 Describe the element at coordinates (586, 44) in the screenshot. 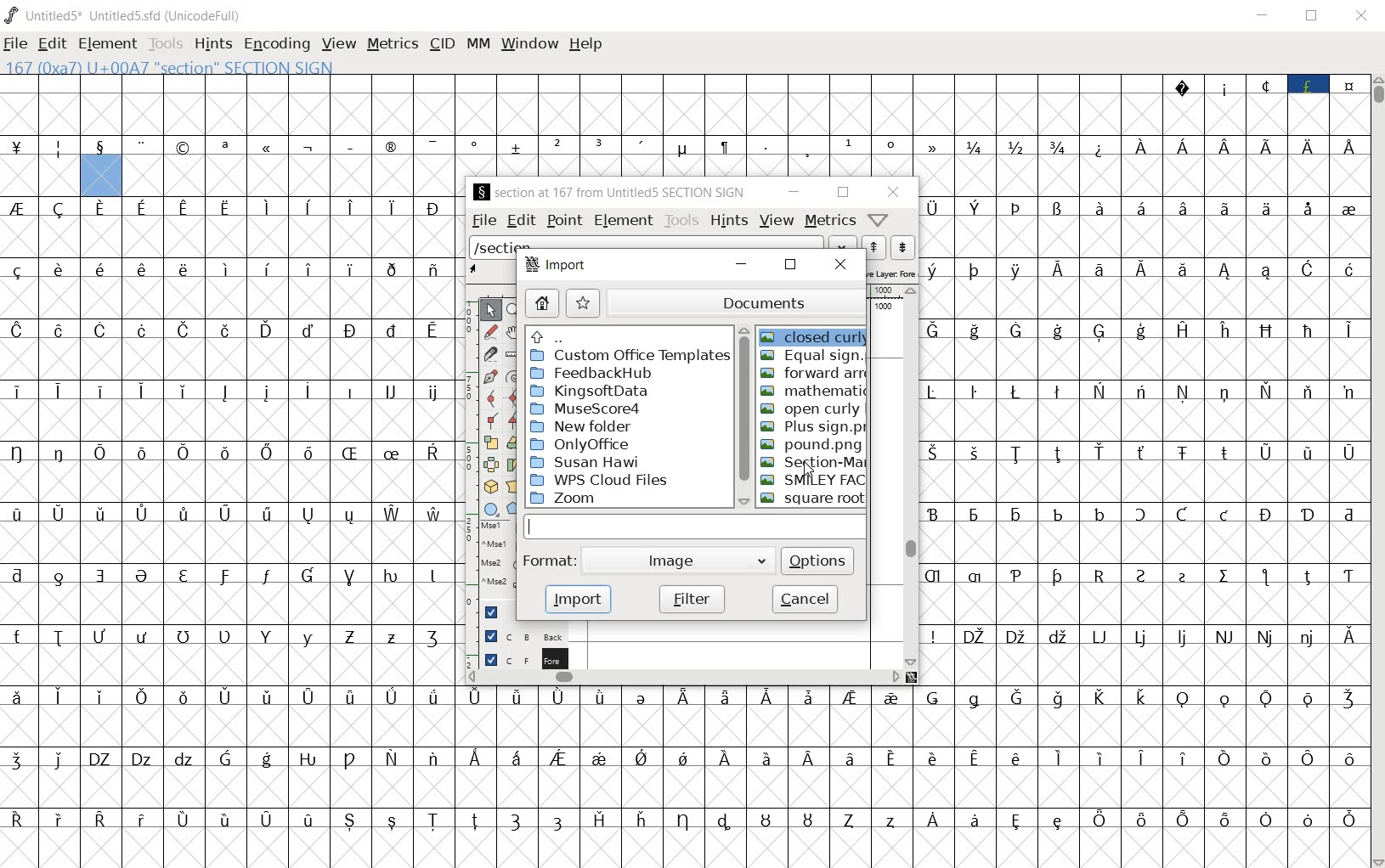

I see `help` at that location.